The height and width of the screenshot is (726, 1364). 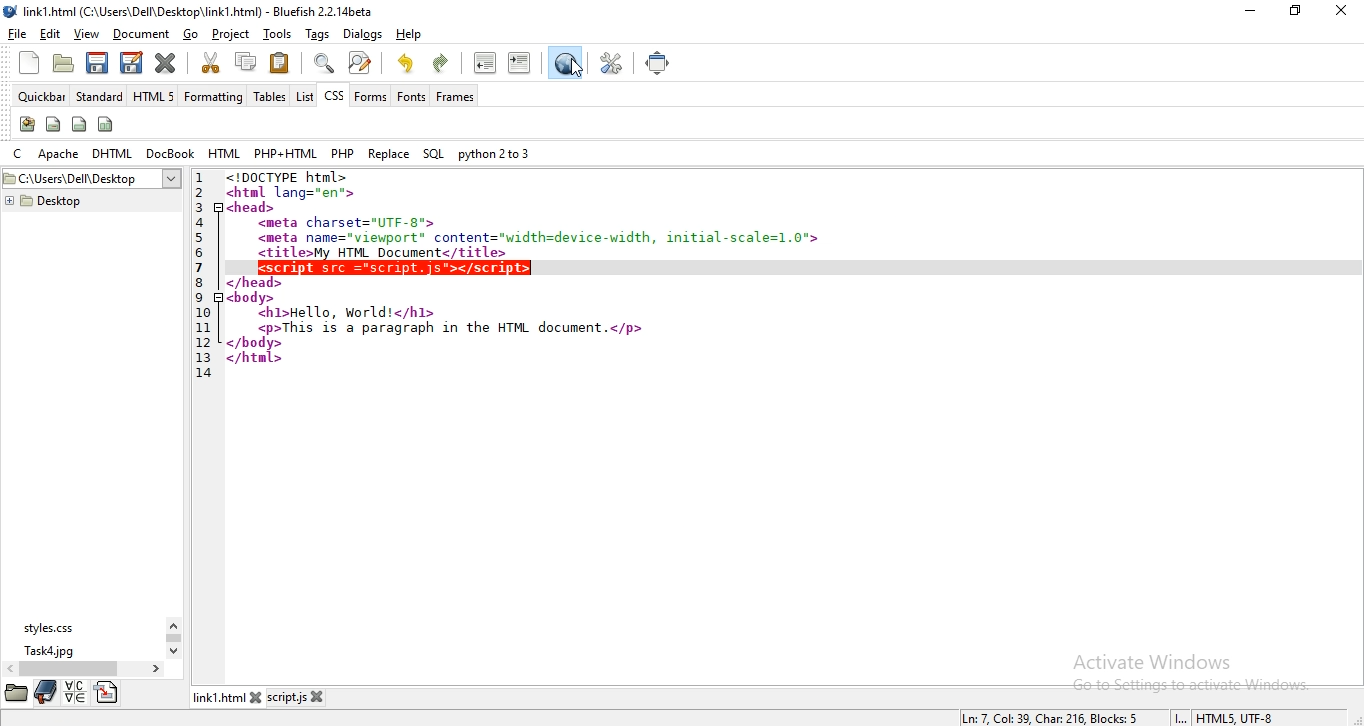 What do you see at coordinates (495, 153) in the screenshot?
I see `python 2 to 3` at bounding box center [495, 153].